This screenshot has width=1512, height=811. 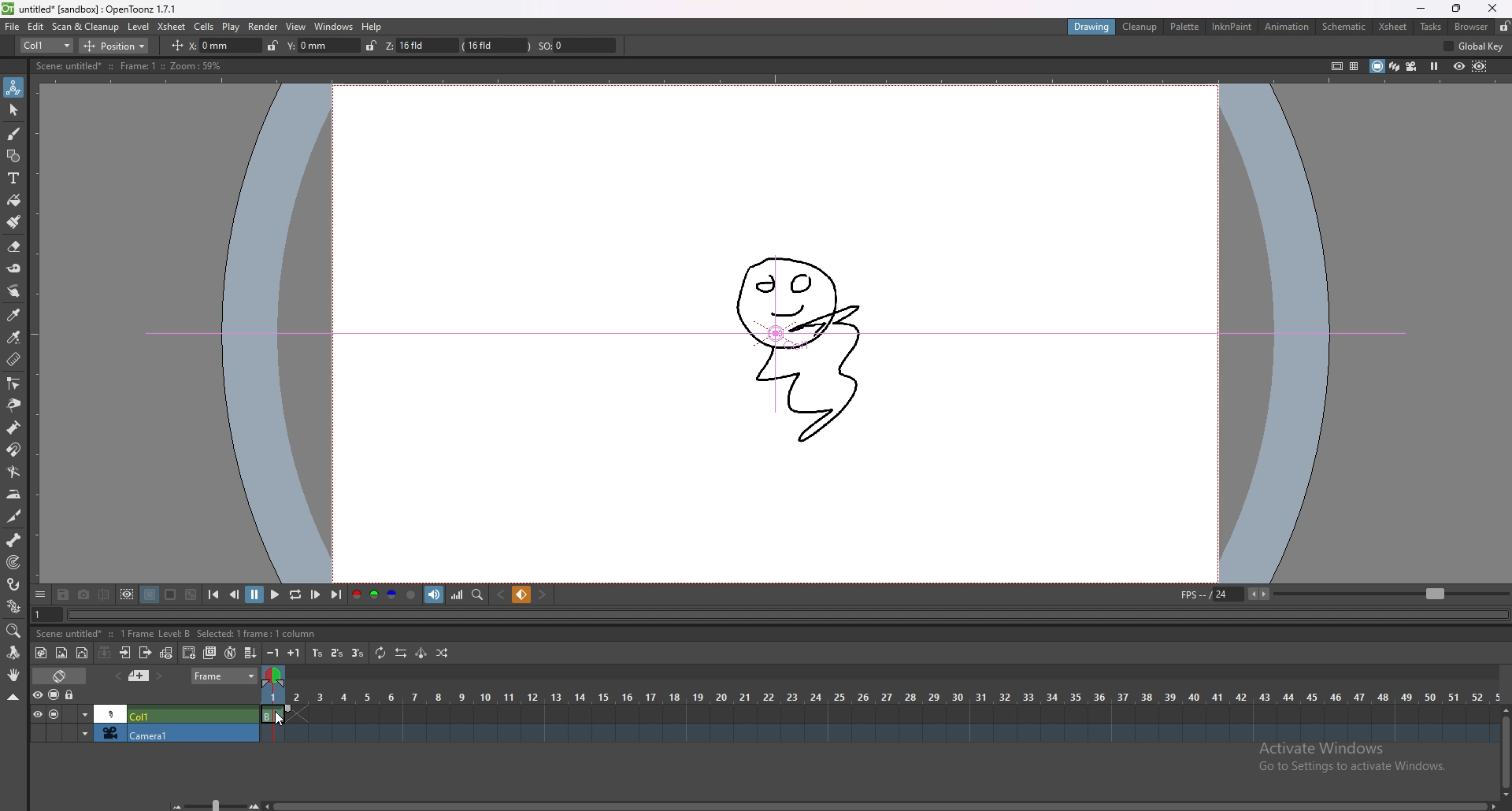 What do you see at coordinates (138, 27) in the screenshot?
I see `level` at bounding box center [138, 27].